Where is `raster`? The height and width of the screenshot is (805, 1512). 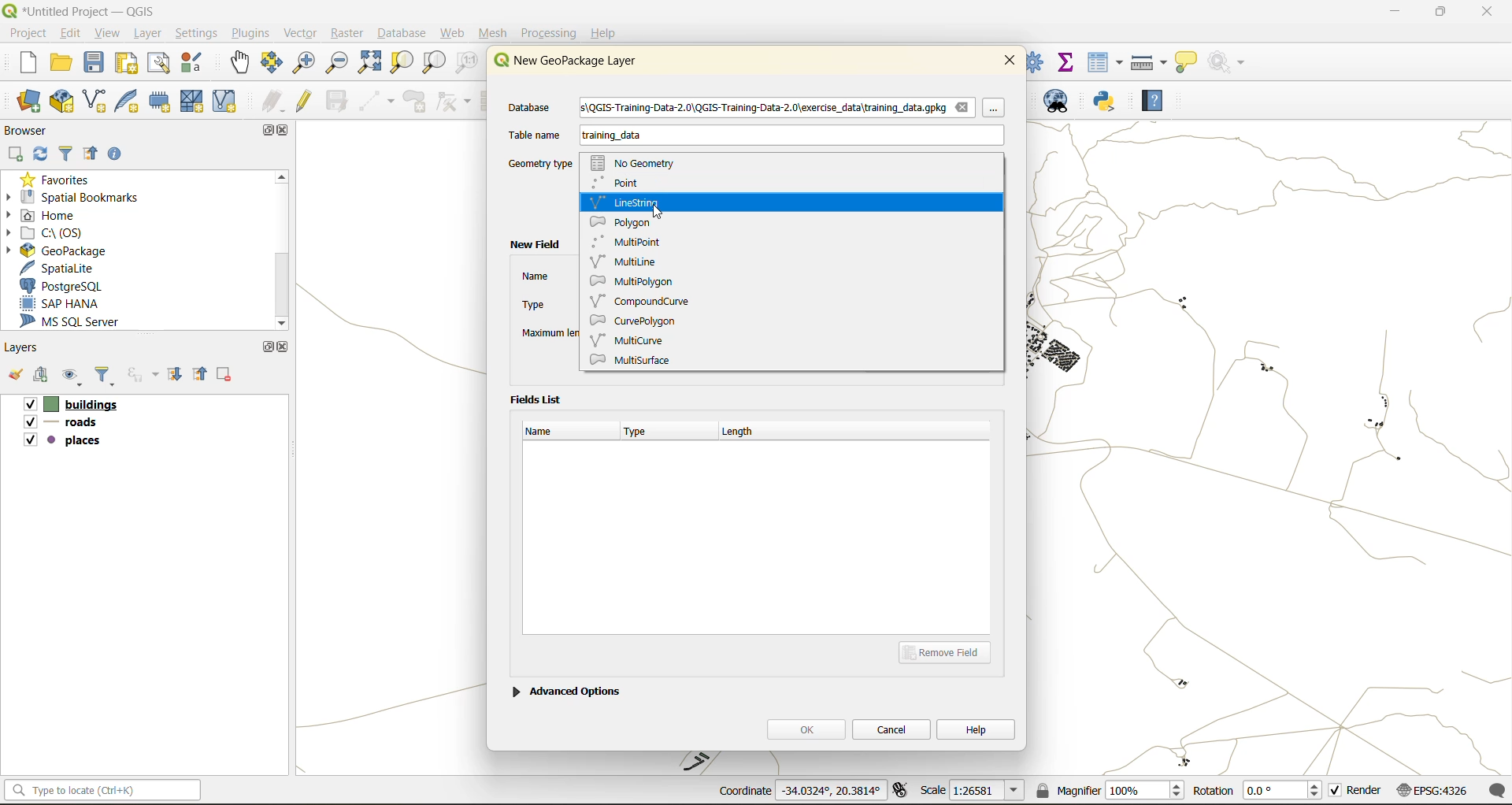 raster is located at coordinates (347, 34).